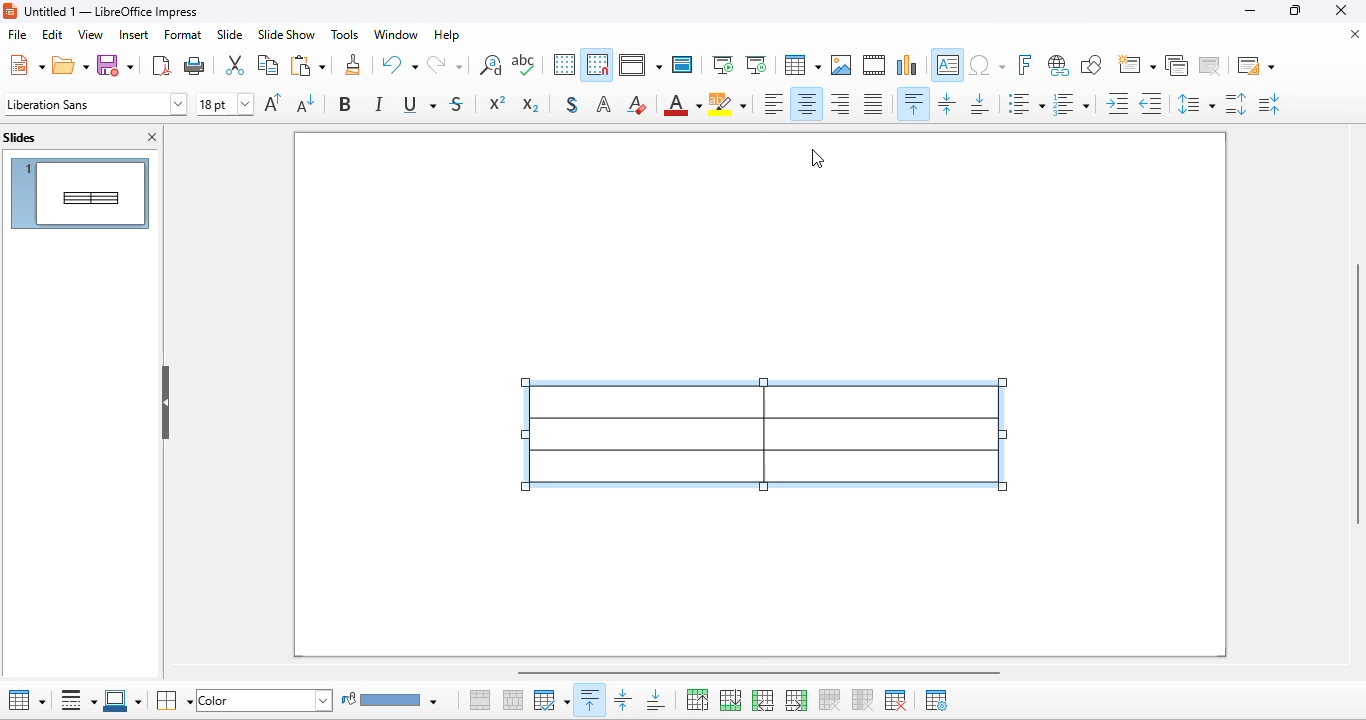  Describe the element at coordinates (54, 35) in the screenshot. I see `edit` at that location.